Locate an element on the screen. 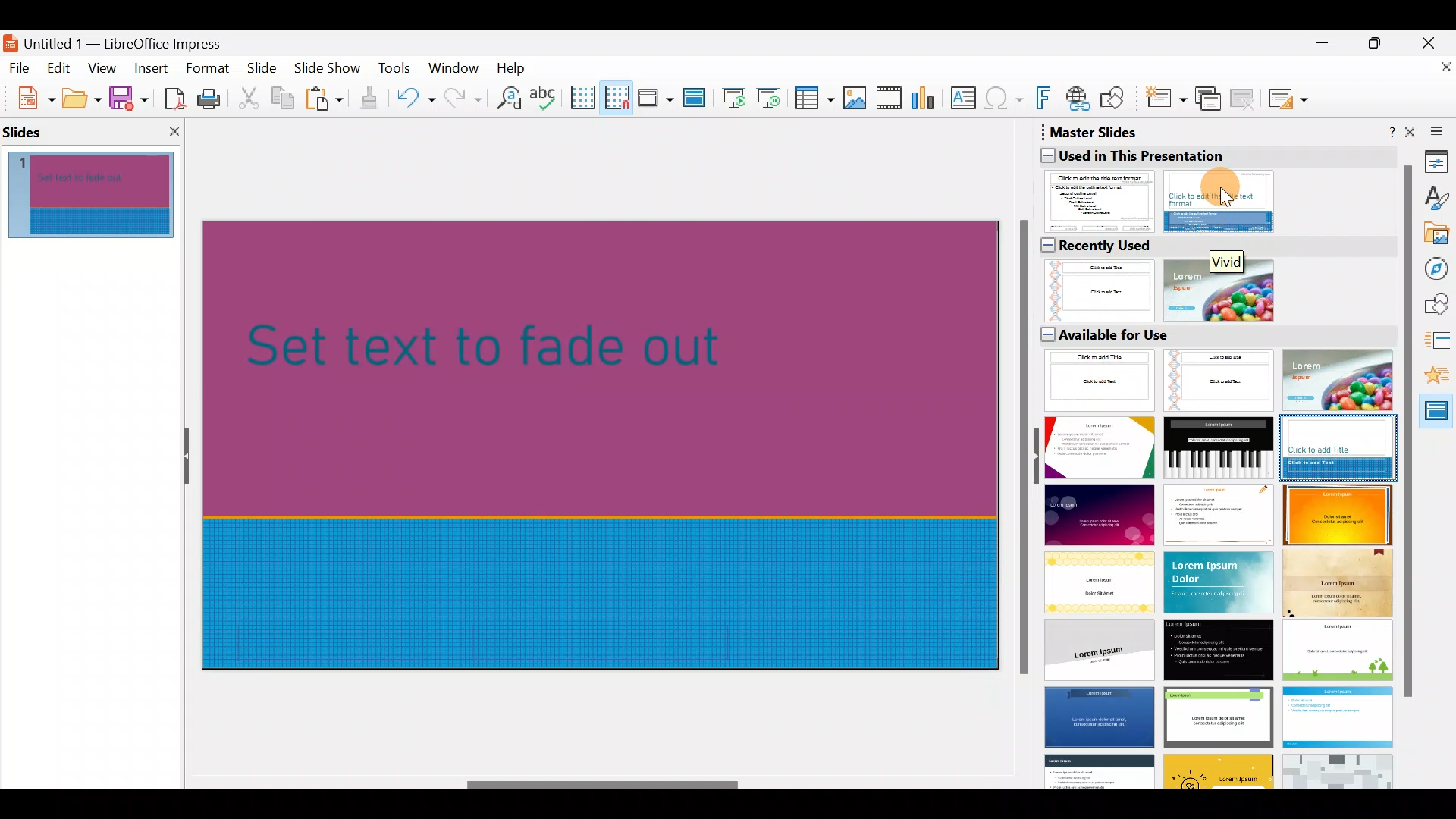 The height and width of the screenshot is (819, 1456). Insert text box is located at coordinates (966, 99).